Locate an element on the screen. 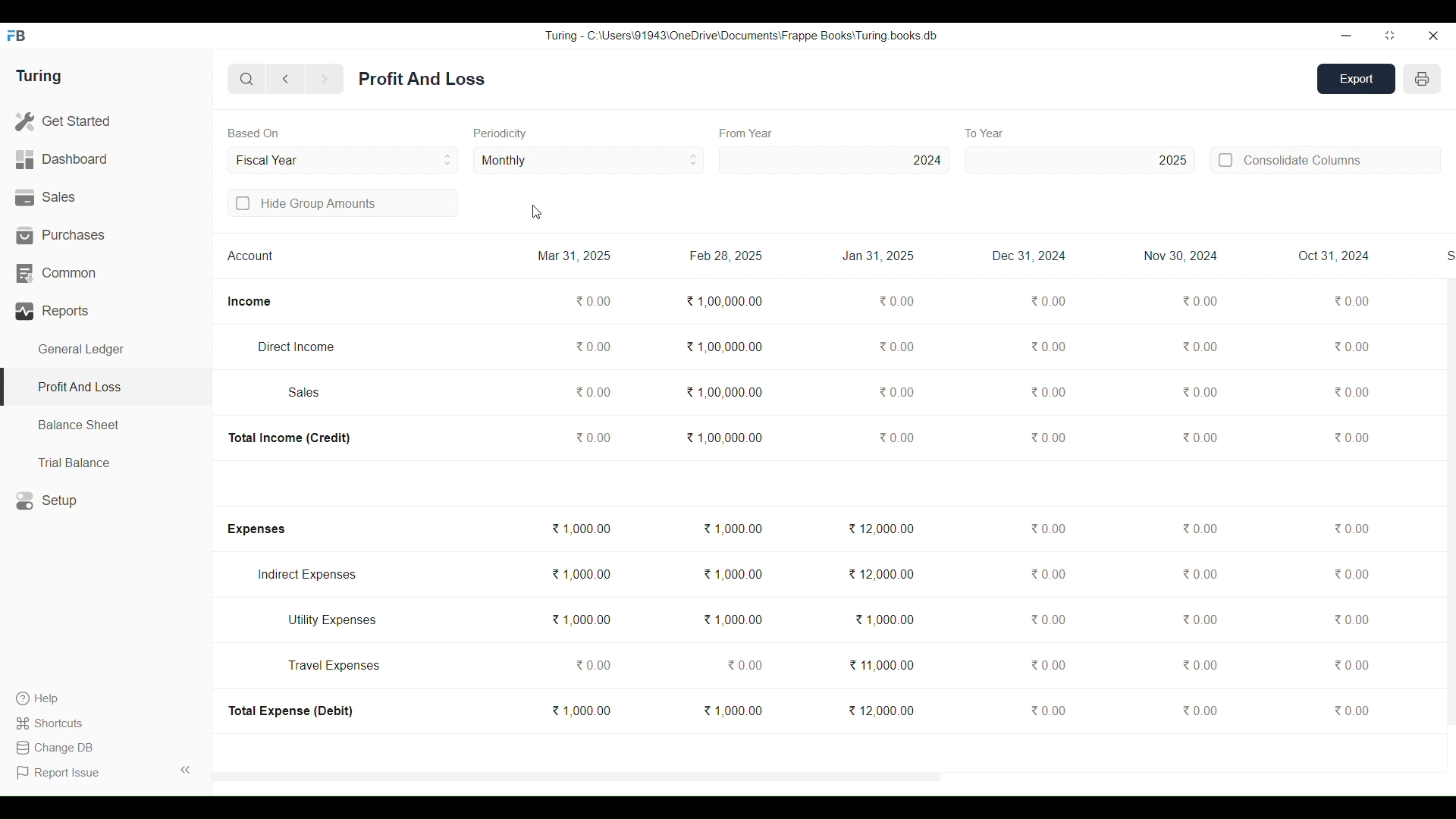 This screenshot has width=1456, height=819. Utility Expenses is located at coordinates (334, 620).